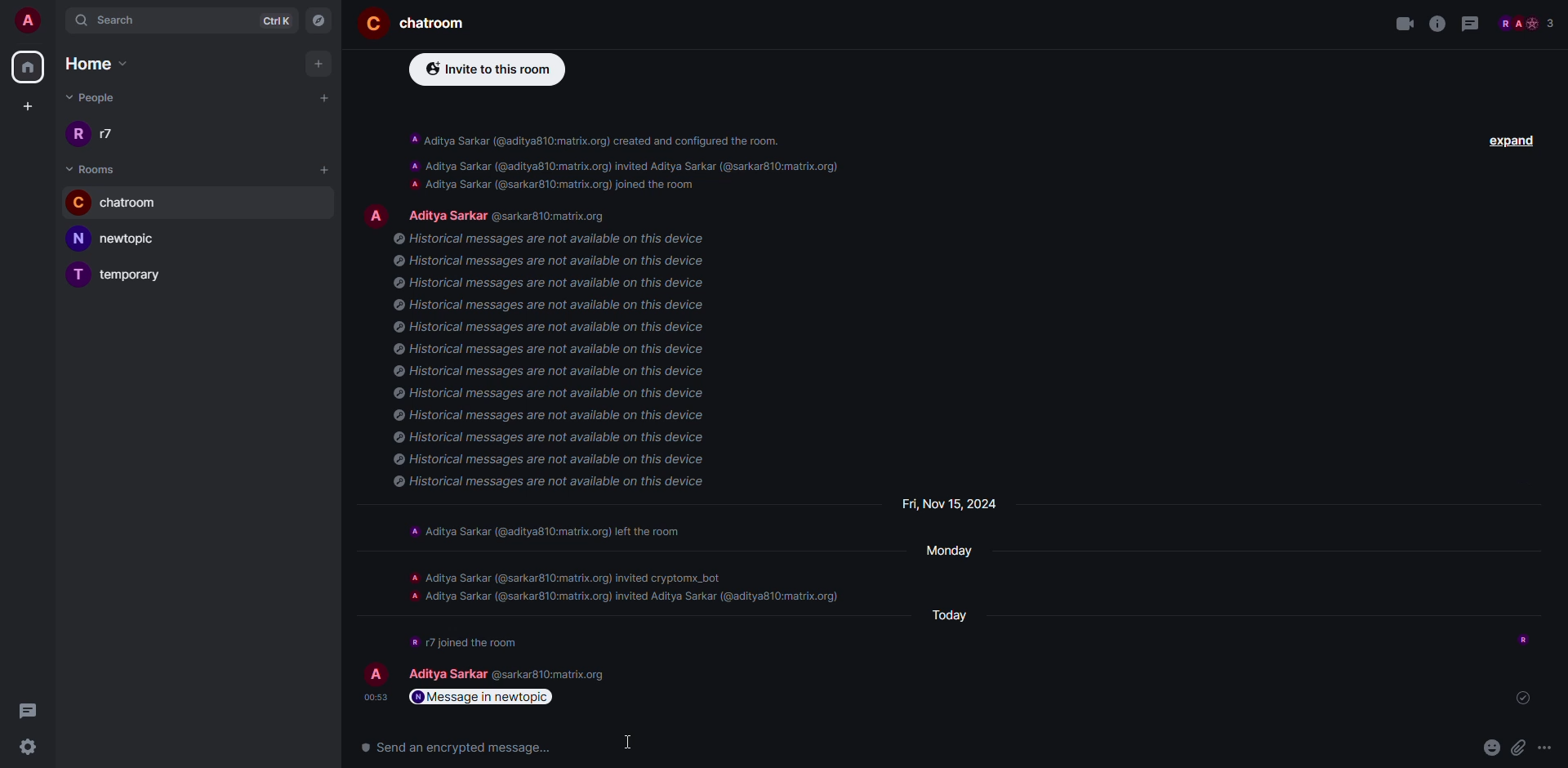  I want to click on info, so click(1437, 24).